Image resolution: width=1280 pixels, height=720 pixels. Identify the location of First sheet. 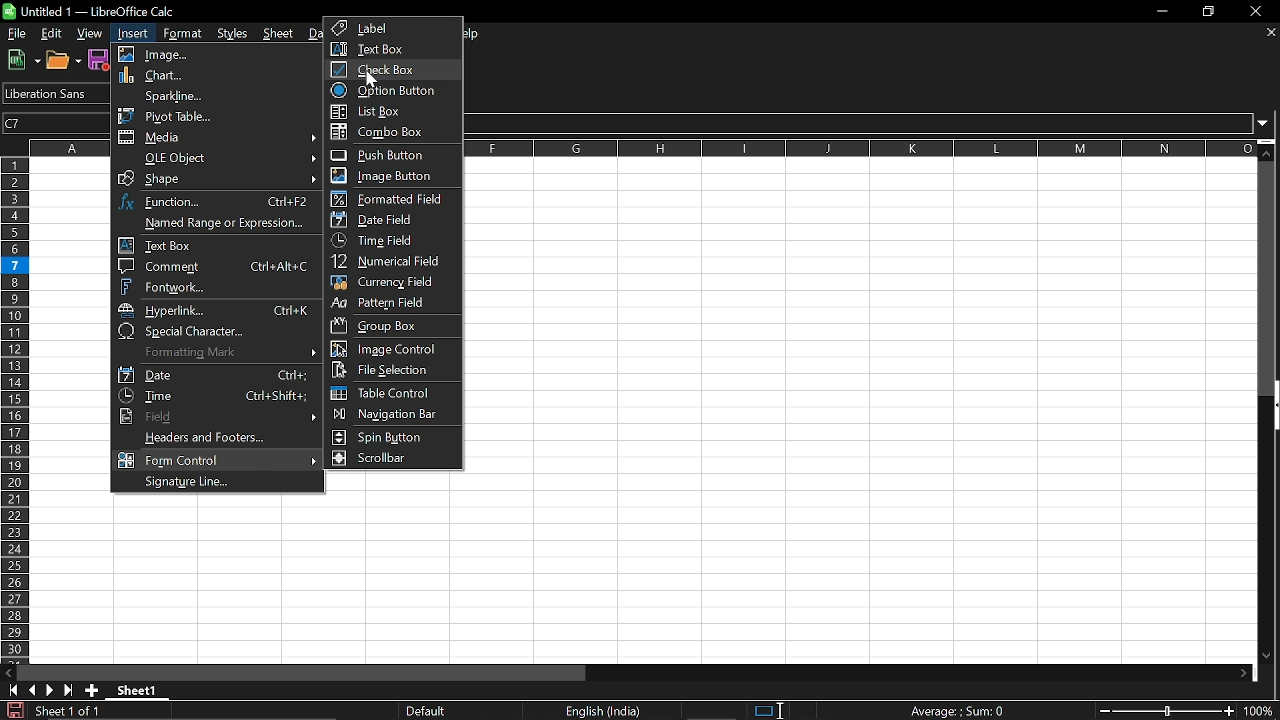
(10, 690).